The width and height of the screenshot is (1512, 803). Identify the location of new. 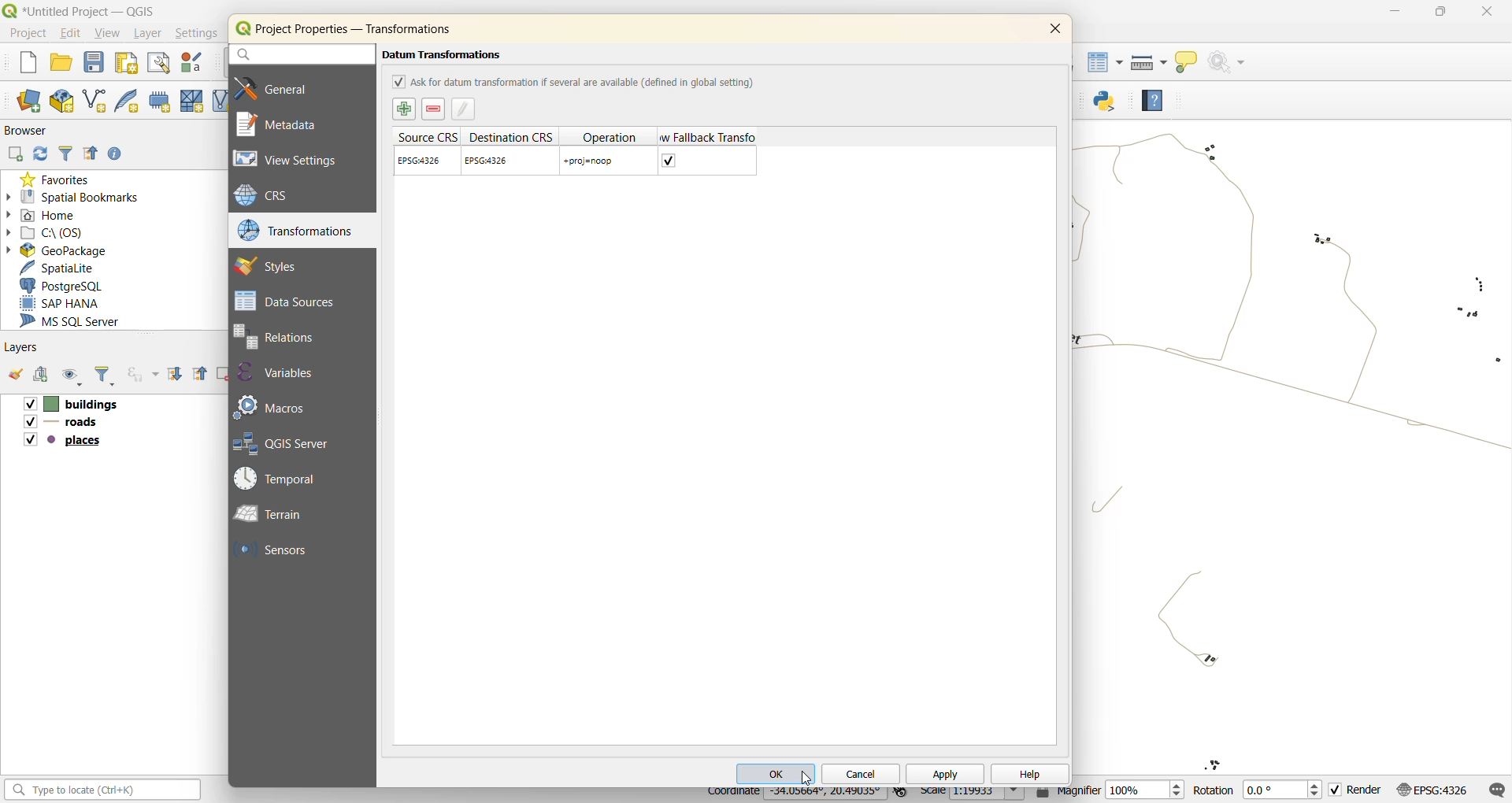
(25, 65).